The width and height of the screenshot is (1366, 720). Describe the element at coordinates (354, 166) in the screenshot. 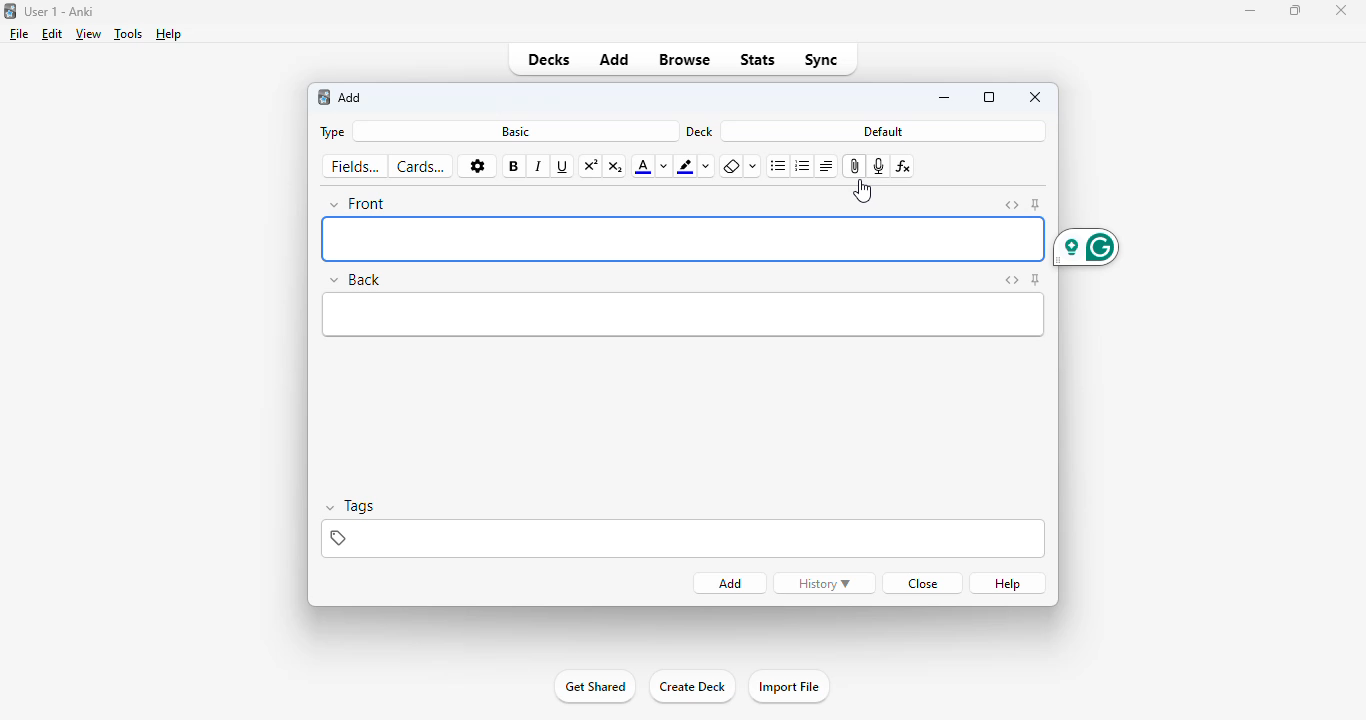

I see `fields` at that location.